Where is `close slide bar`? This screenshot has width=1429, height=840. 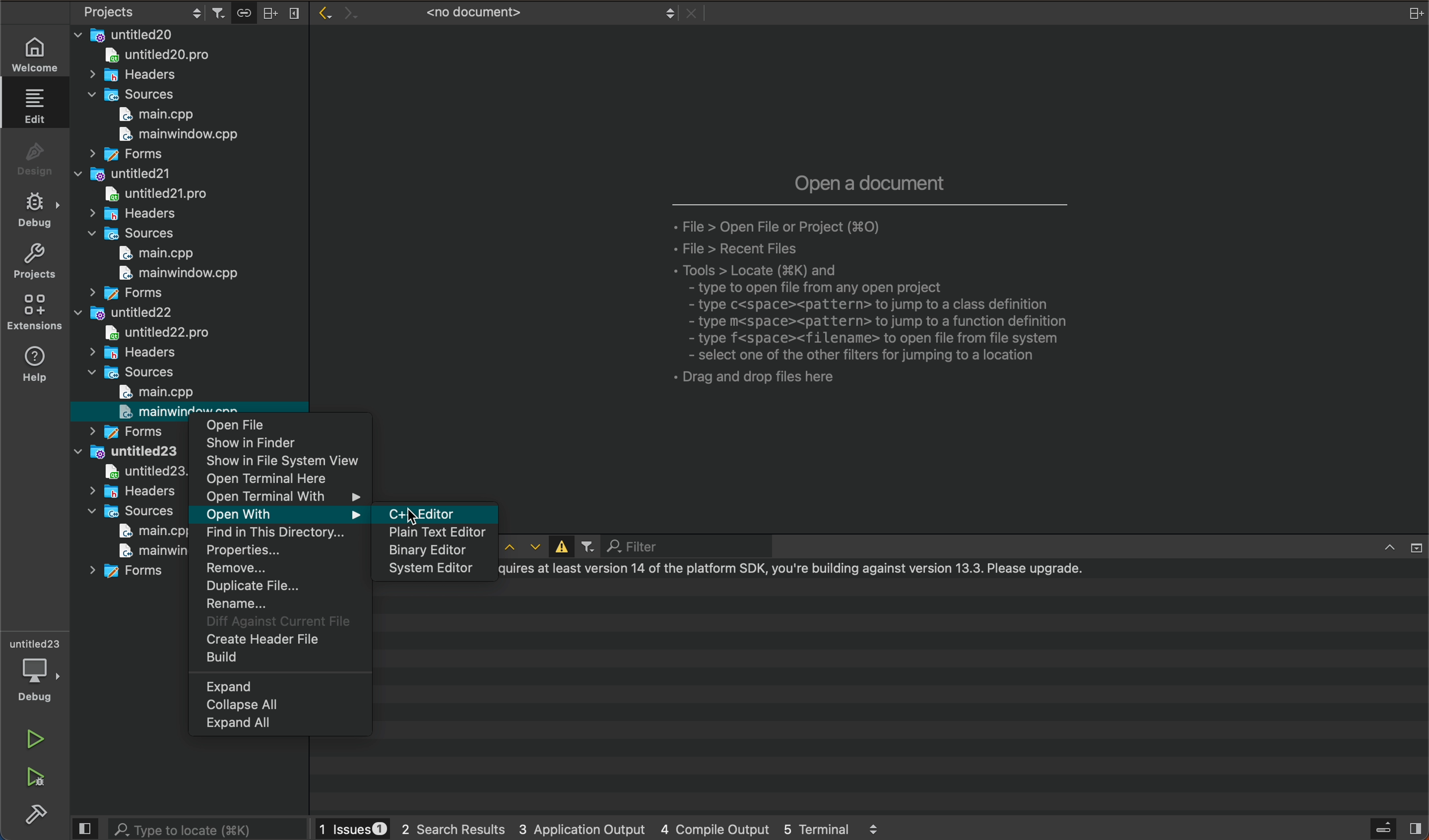
close slide bar is located at coordinates (86, 829).